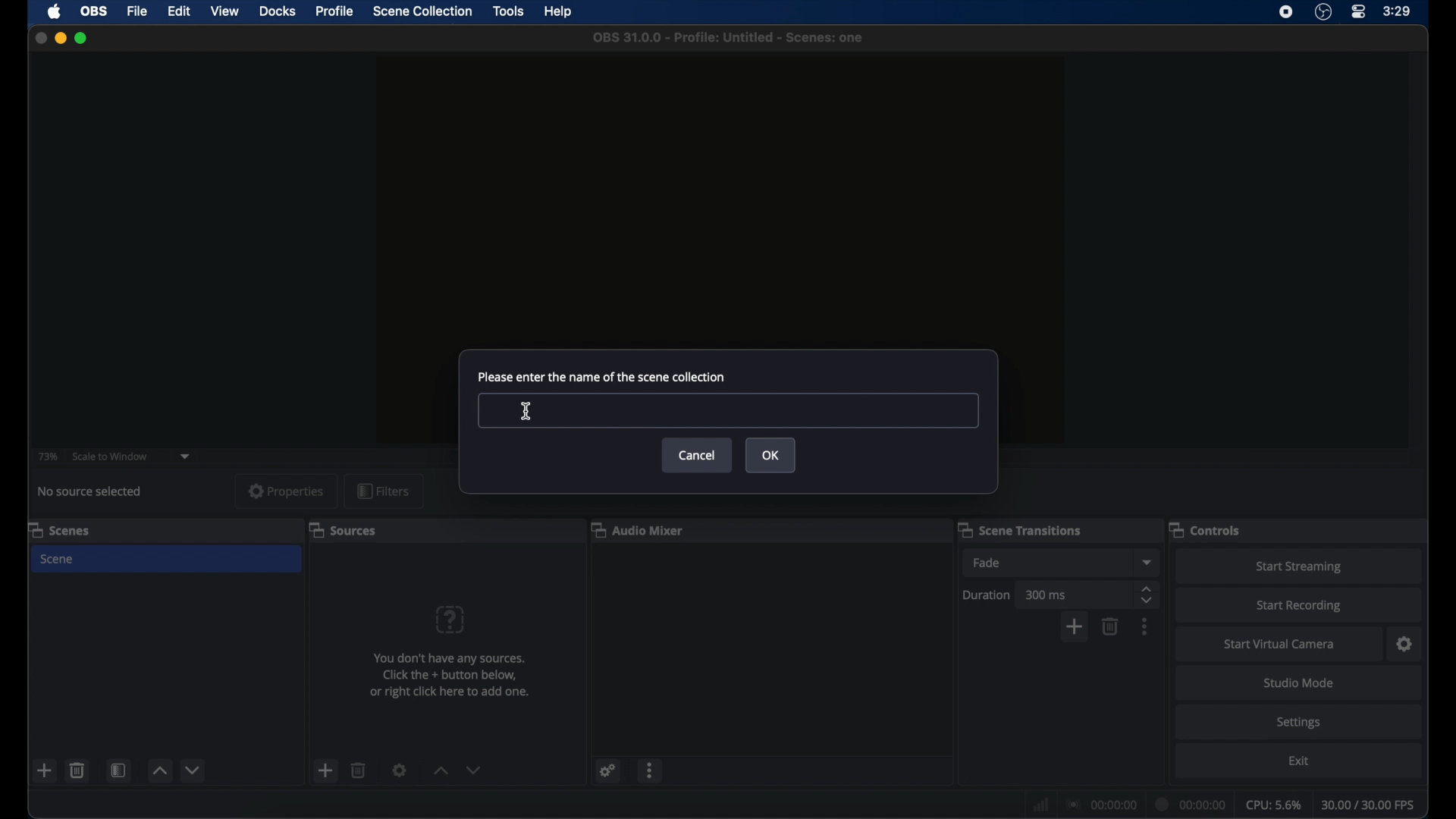 The image size is (1456, 819). I want to click on duration, so click(1191, 805).